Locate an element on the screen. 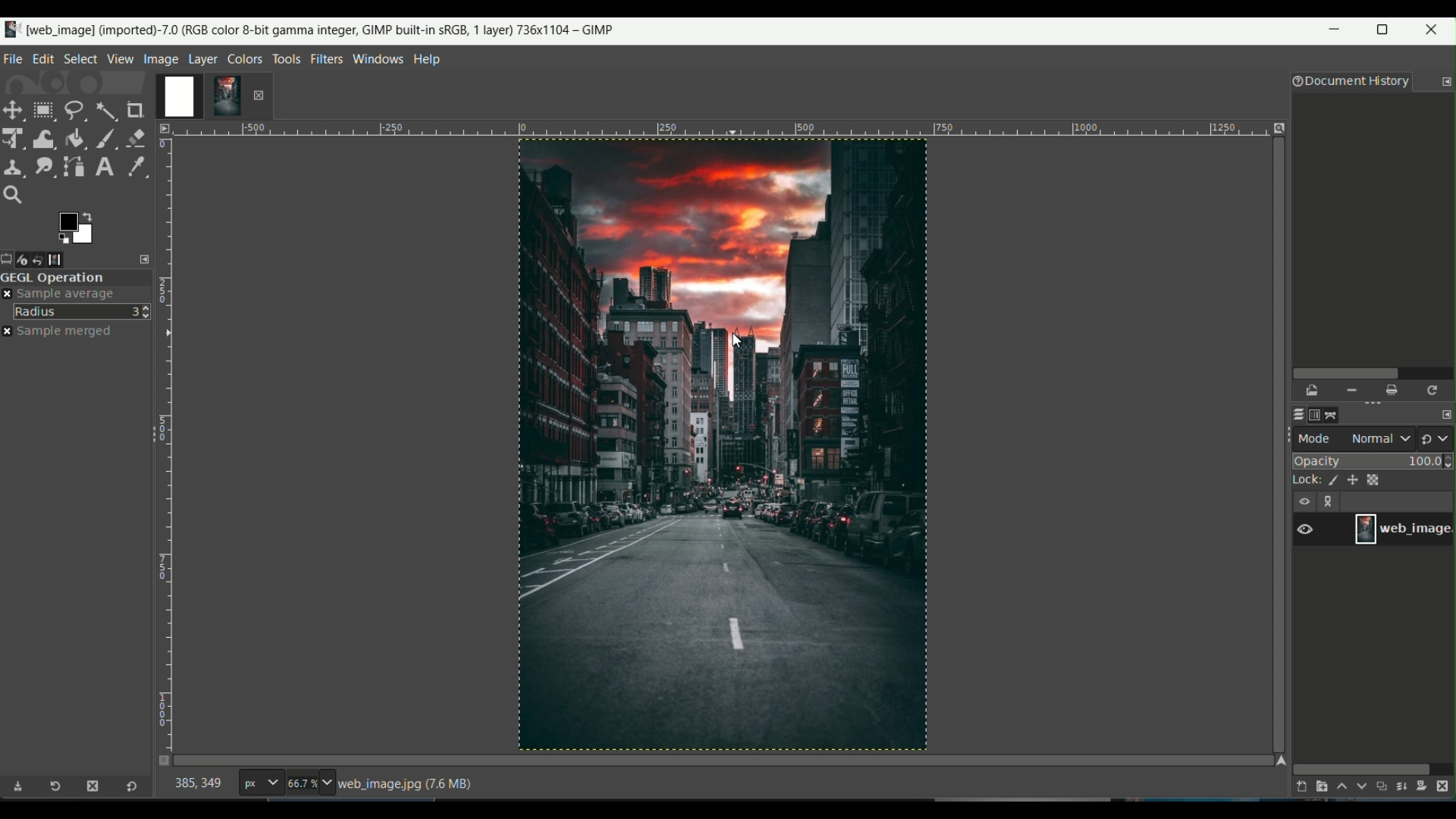  crop tool is located at coordinates (137, 110).